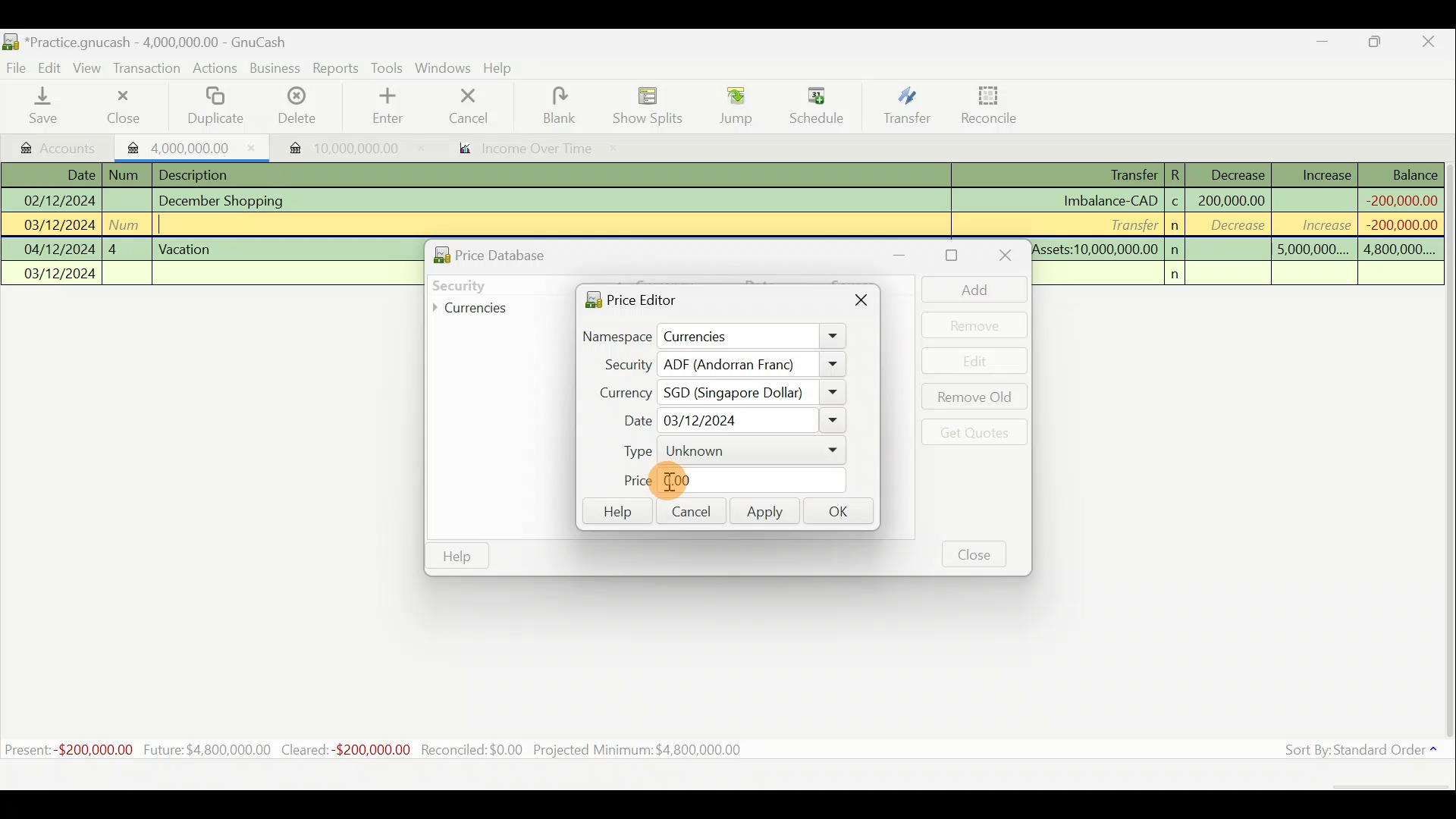 The height and width of the screenshot is (819, 1456). I want to click on Assets:10,000,000.00, so click(1095, 247).